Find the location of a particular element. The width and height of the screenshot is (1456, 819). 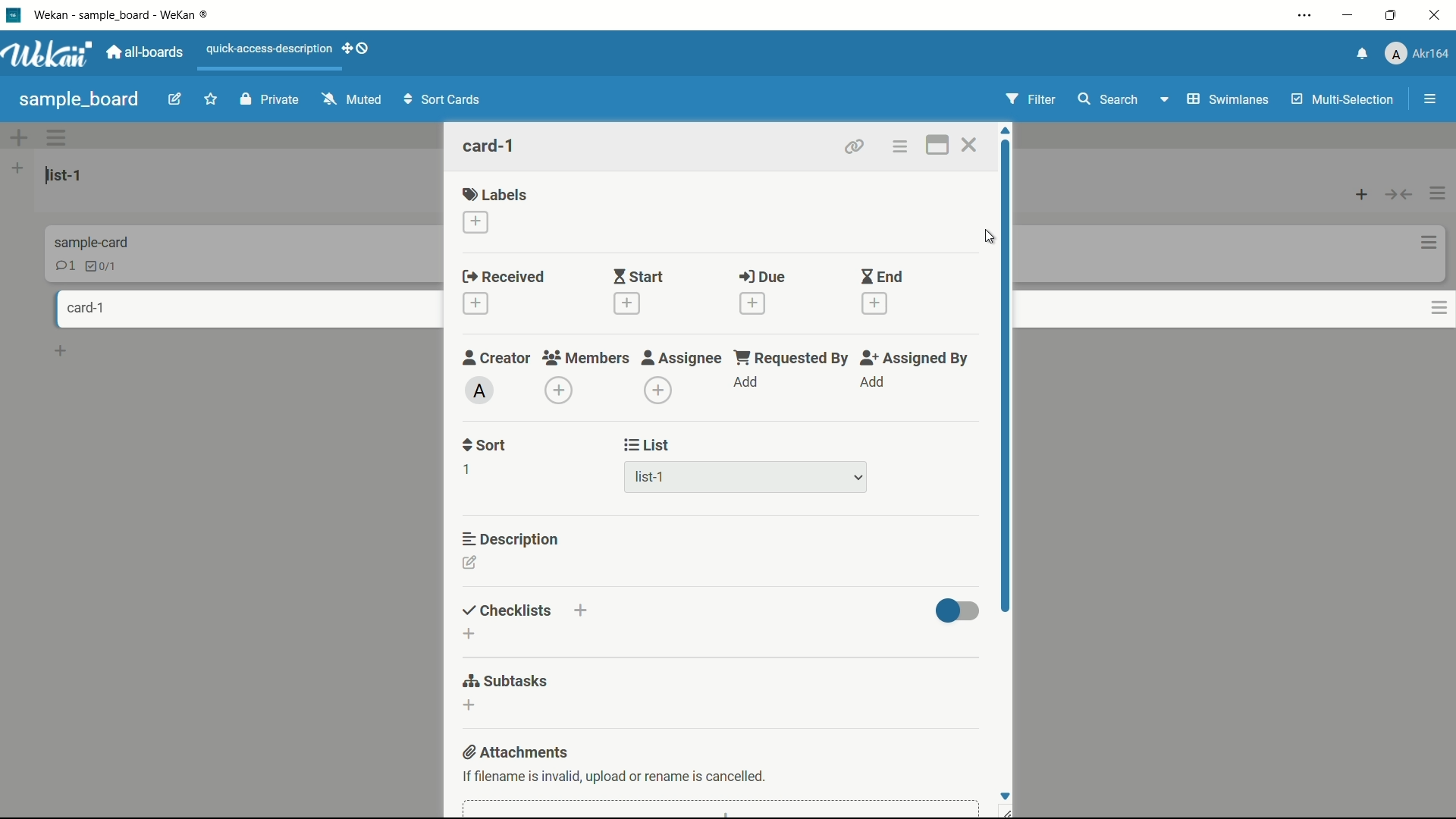

wekan - Sample_board - weaken is located at coordinates (148, 17).